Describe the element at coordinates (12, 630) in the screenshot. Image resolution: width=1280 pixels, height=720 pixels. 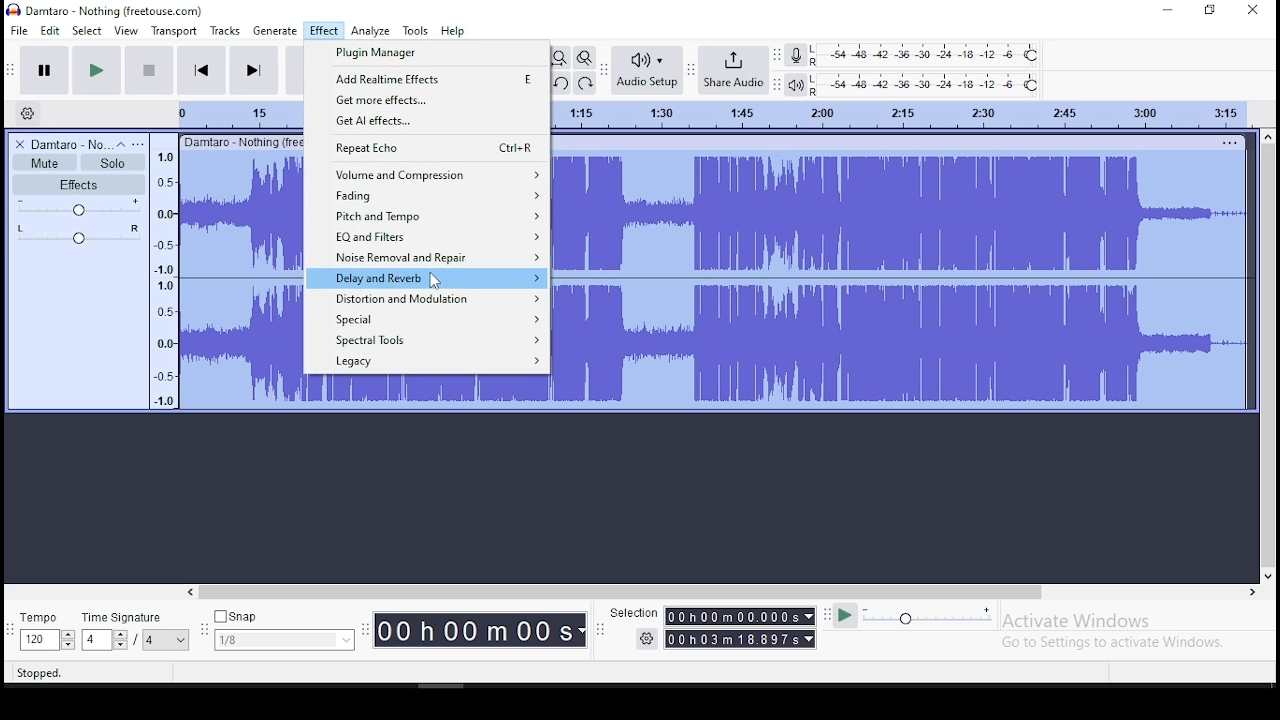
I see `` at that location.